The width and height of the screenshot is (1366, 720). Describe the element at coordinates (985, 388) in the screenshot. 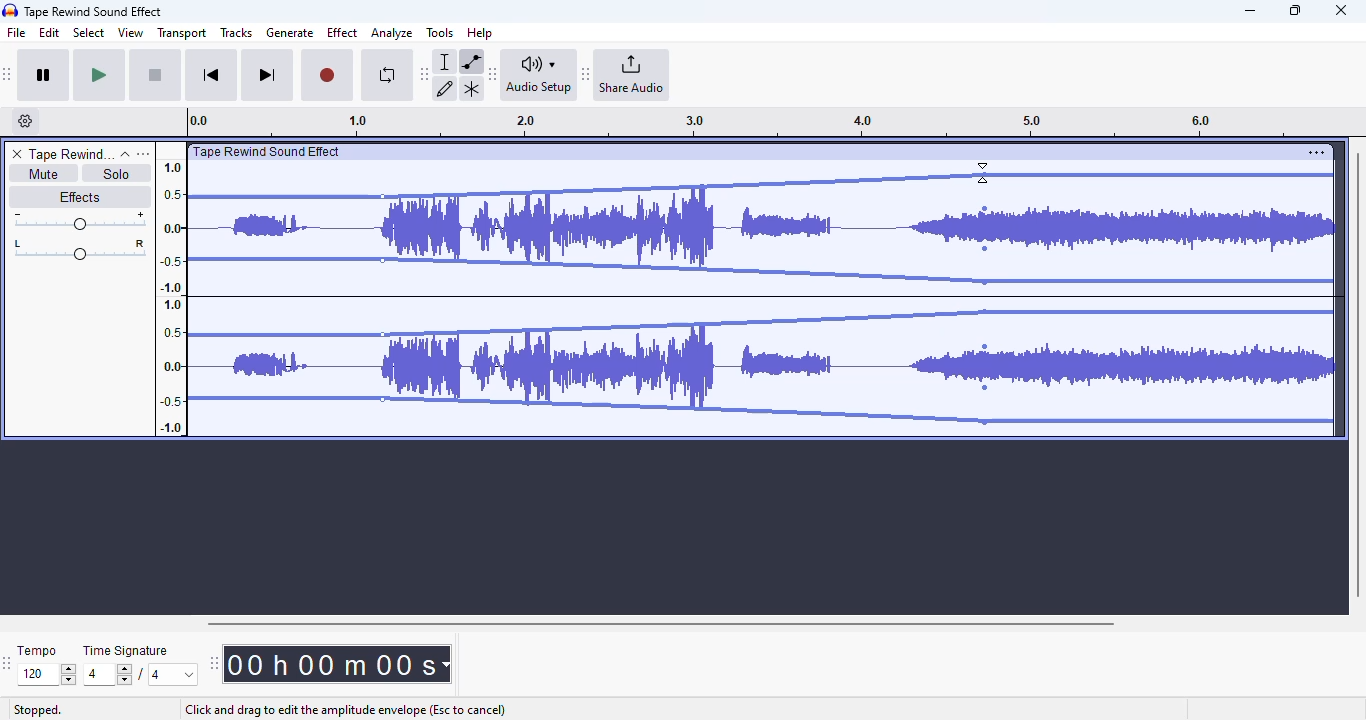

I see `Control point` at that location.